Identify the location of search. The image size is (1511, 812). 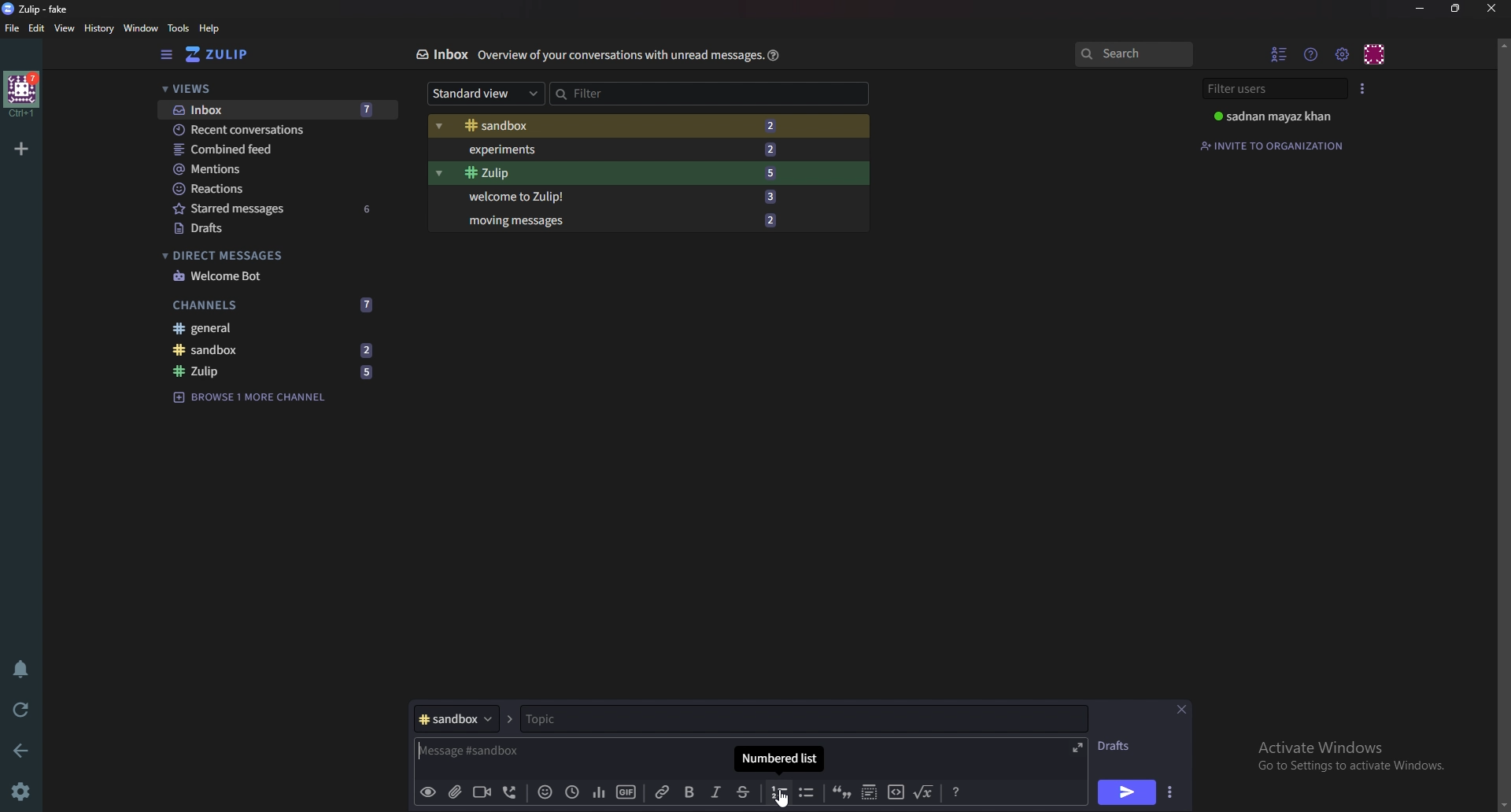
(1133, 55).